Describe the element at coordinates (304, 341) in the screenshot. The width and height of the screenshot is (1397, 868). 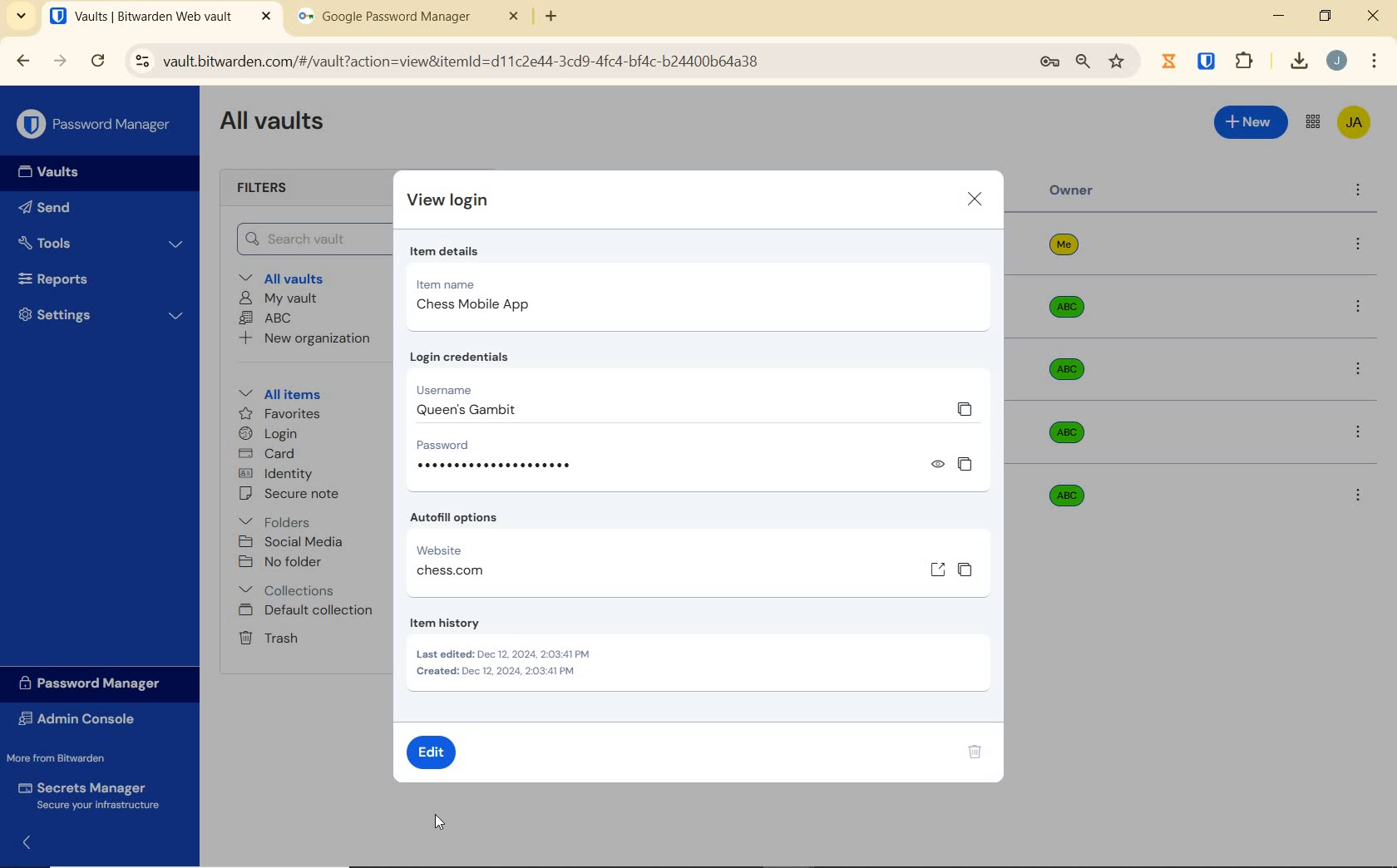
I see `new organization` at that location.